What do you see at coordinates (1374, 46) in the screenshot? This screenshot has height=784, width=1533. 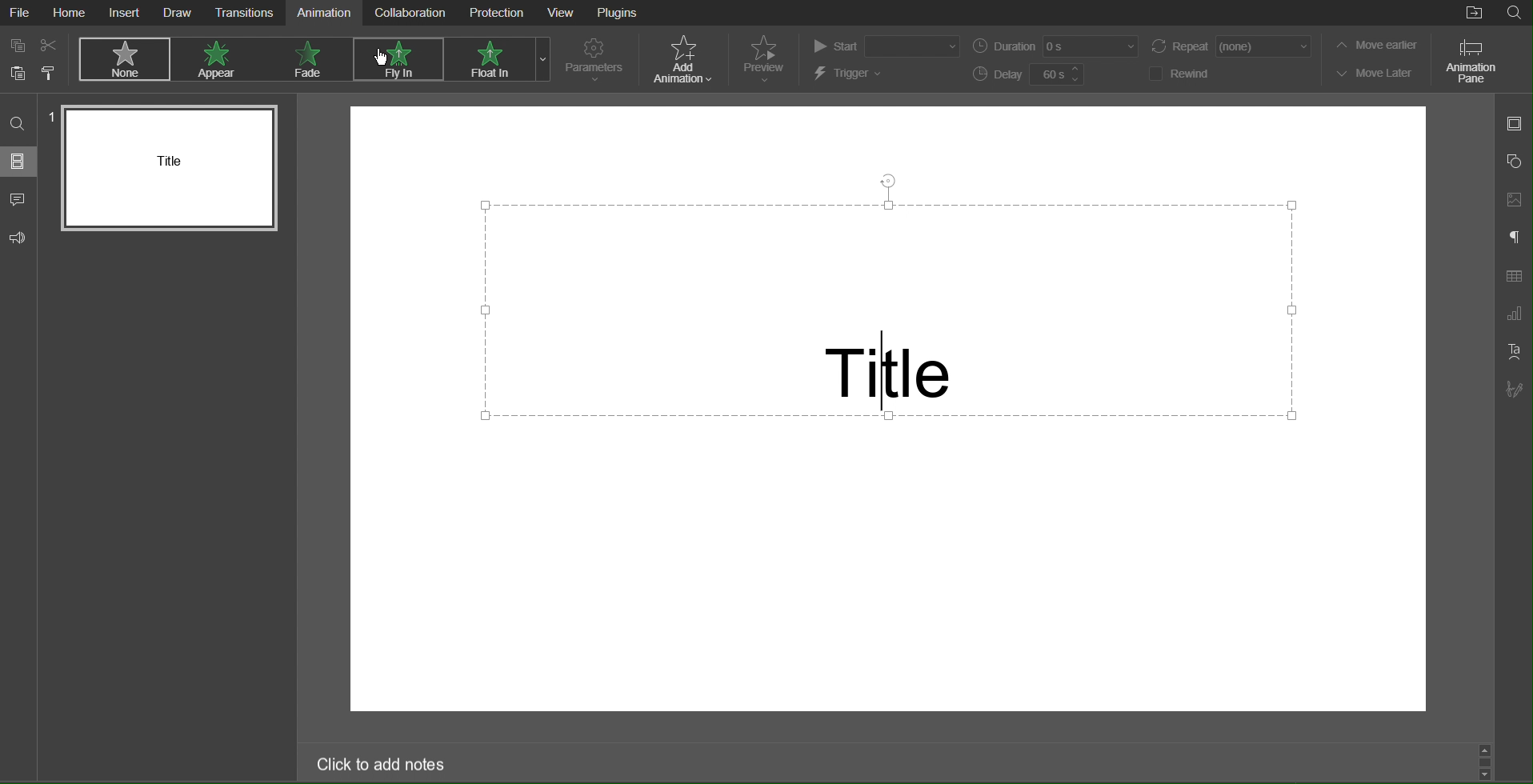 I see `Move earlier` at bounding box center [1374, 46].